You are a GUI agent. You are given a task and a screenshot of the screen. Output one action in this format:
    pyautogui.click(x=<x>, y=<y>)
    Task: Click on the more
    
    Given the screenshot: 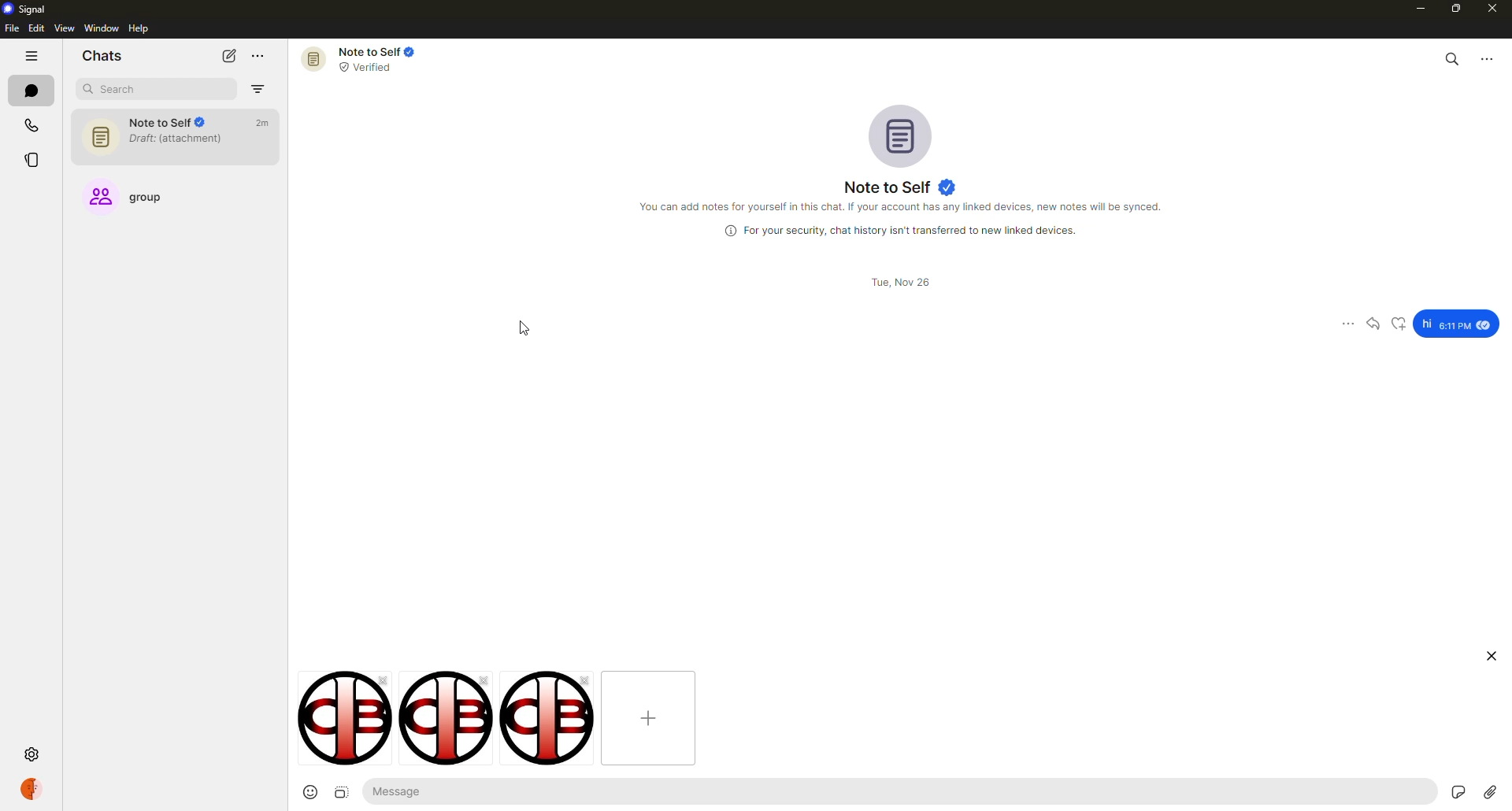 What is the action you would take?
    pyautogui.click(x=260, y=56)
    